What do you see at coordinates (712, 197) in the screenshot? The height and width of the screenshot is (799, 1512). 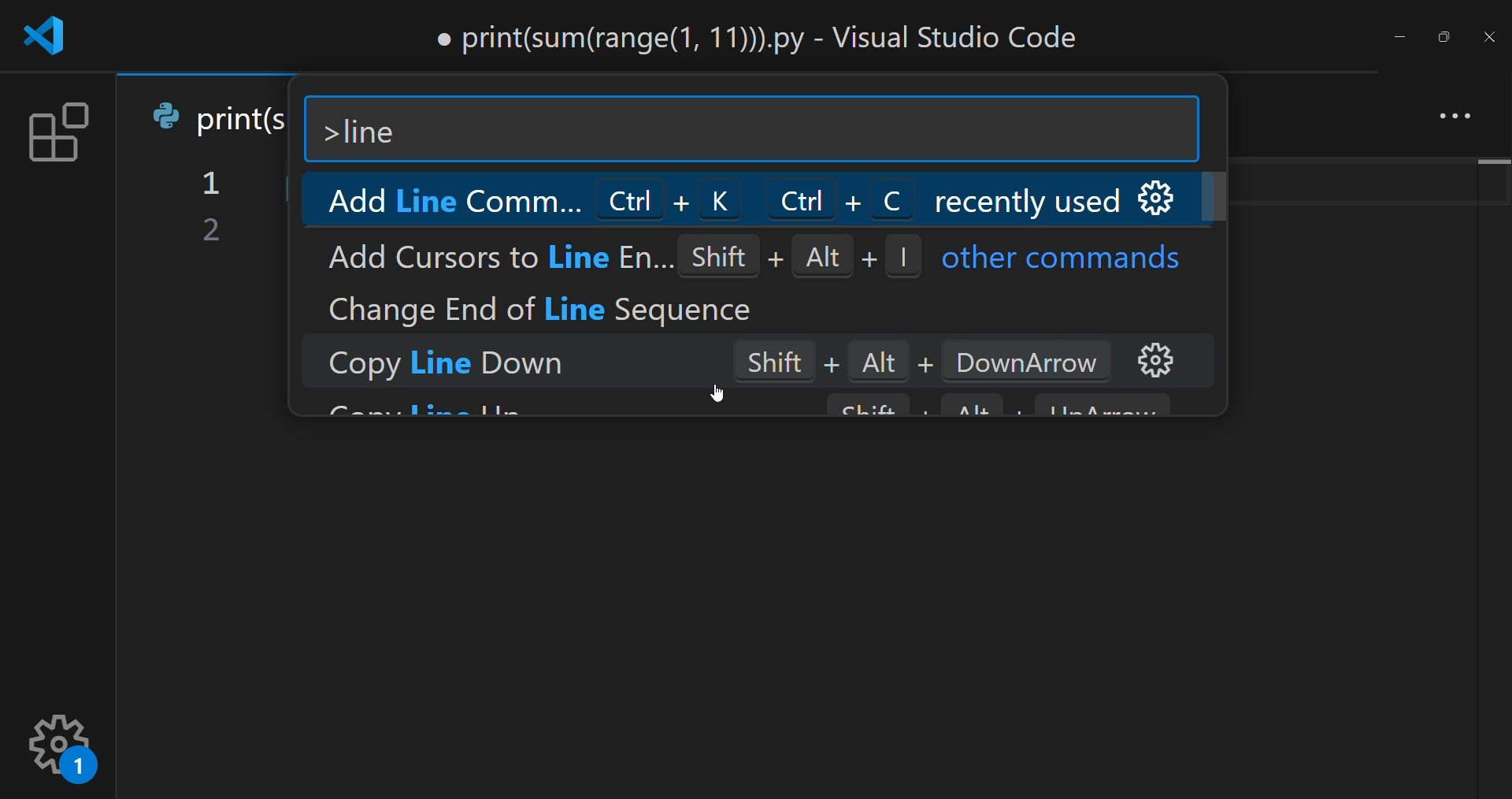 I see `Add Line Comme... Ctrl + K Ctrl + C recently used` at bounding box center [712, 197].